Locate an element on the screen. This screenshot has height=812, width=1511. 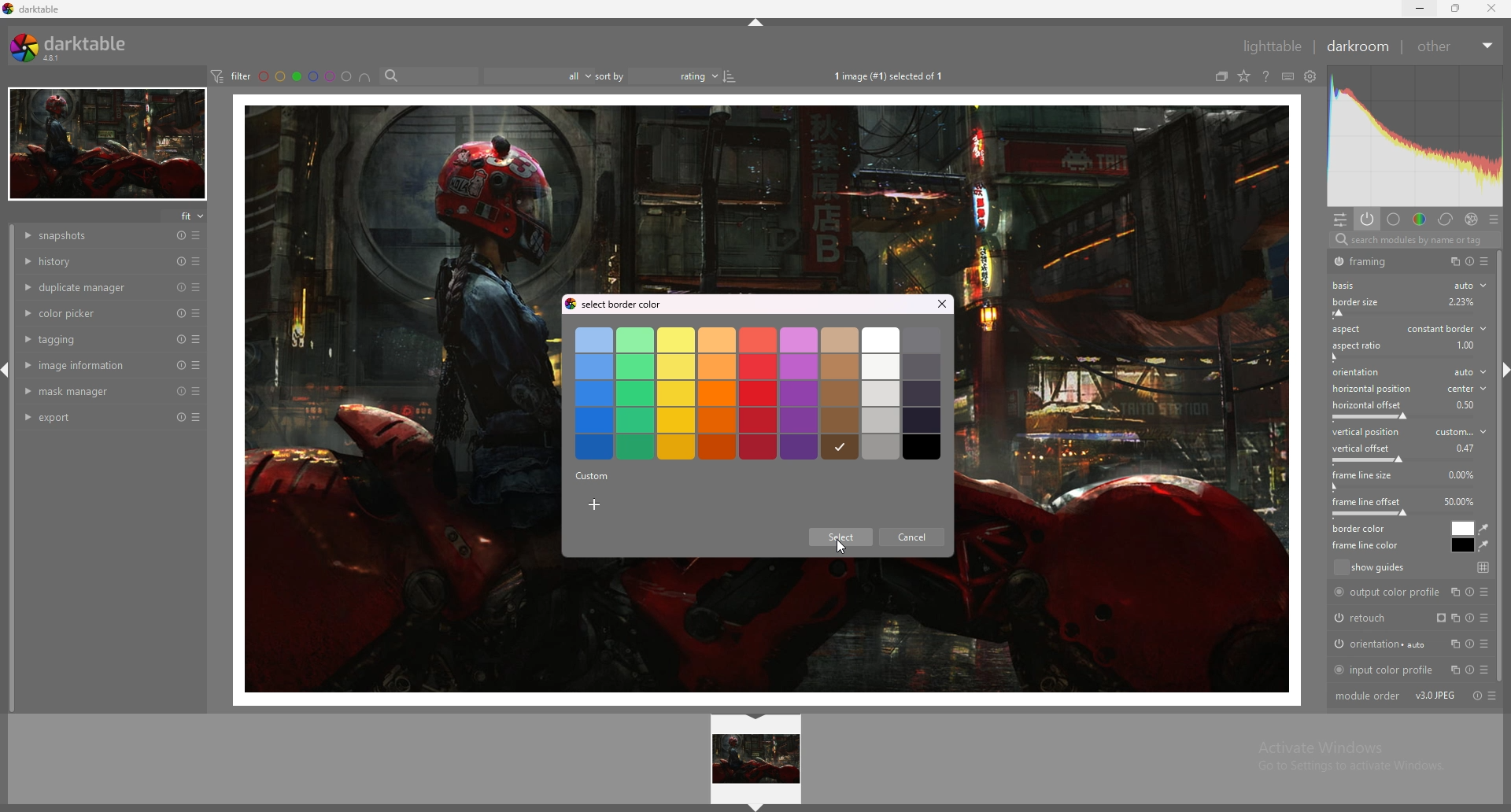
lighttable is located at coordinates (1264, 46).